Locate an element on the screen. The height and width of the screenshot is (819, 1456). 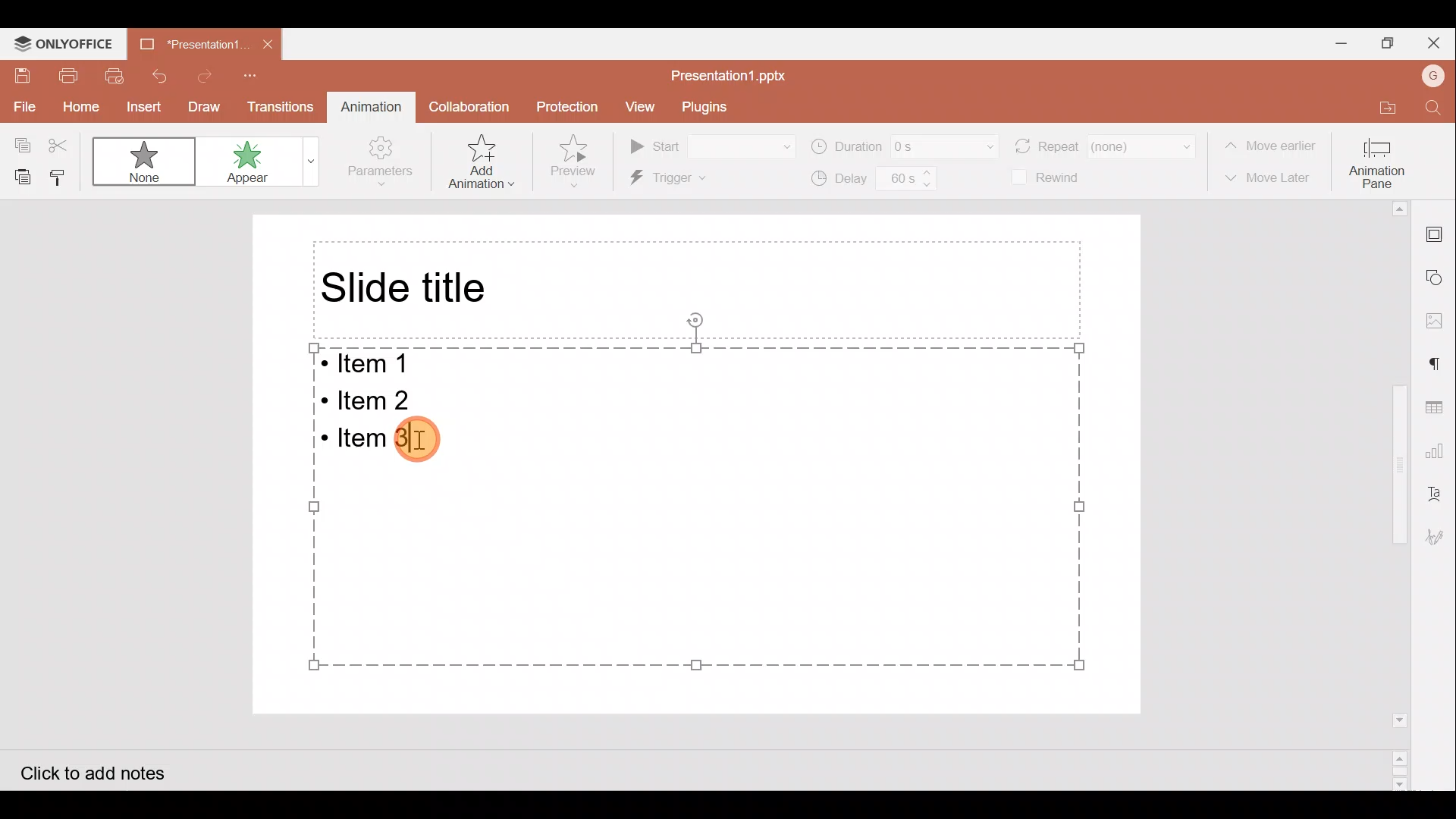
Signature settings is located at coordinates (1441, 541).